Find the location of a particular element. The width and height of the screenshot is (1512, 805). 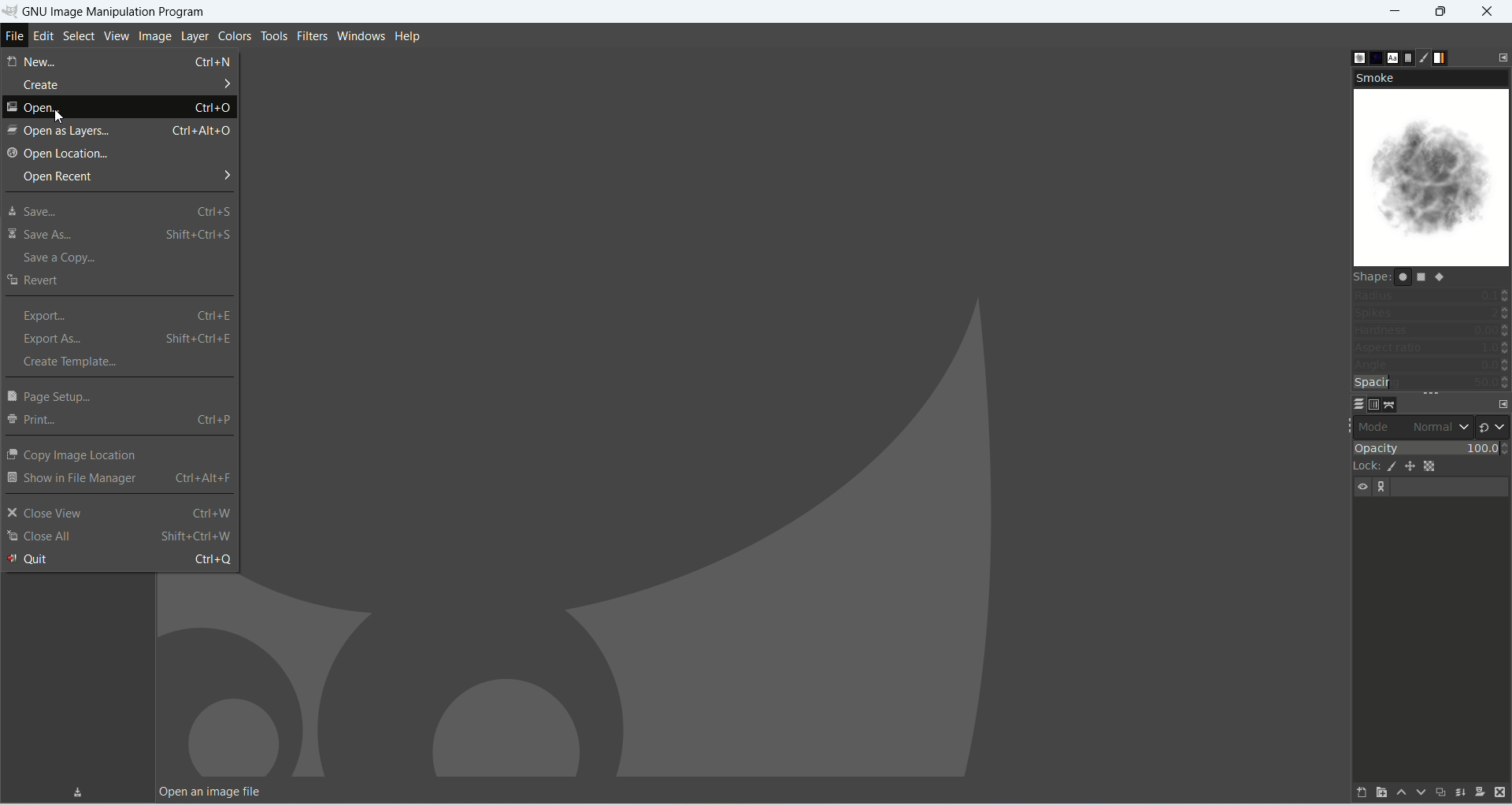

gradients is located at coordinates (1442, 58).